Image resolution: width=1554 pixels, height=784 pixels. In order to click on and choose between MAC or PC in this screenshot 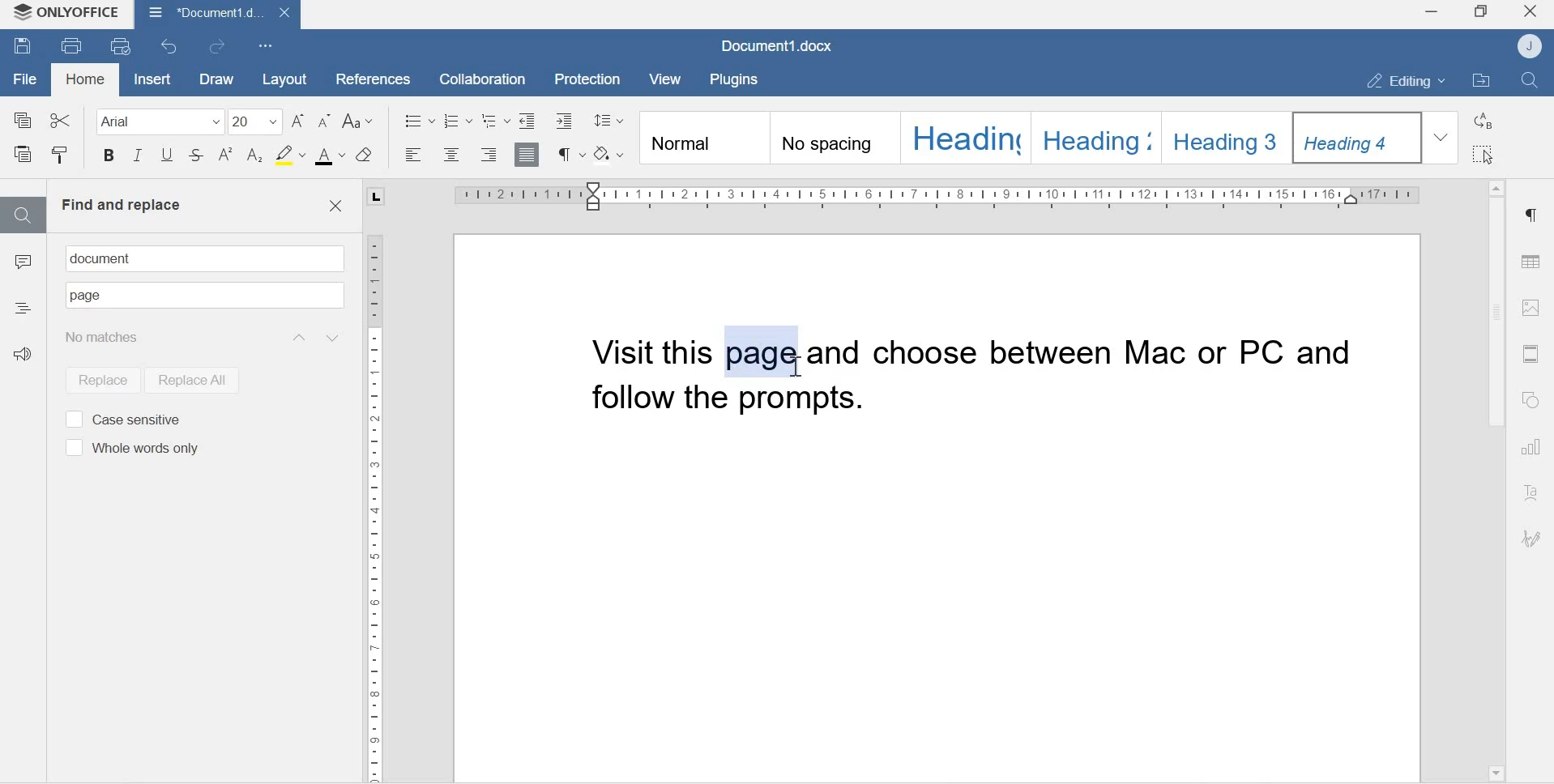, I will do `click(1092, 355)`.